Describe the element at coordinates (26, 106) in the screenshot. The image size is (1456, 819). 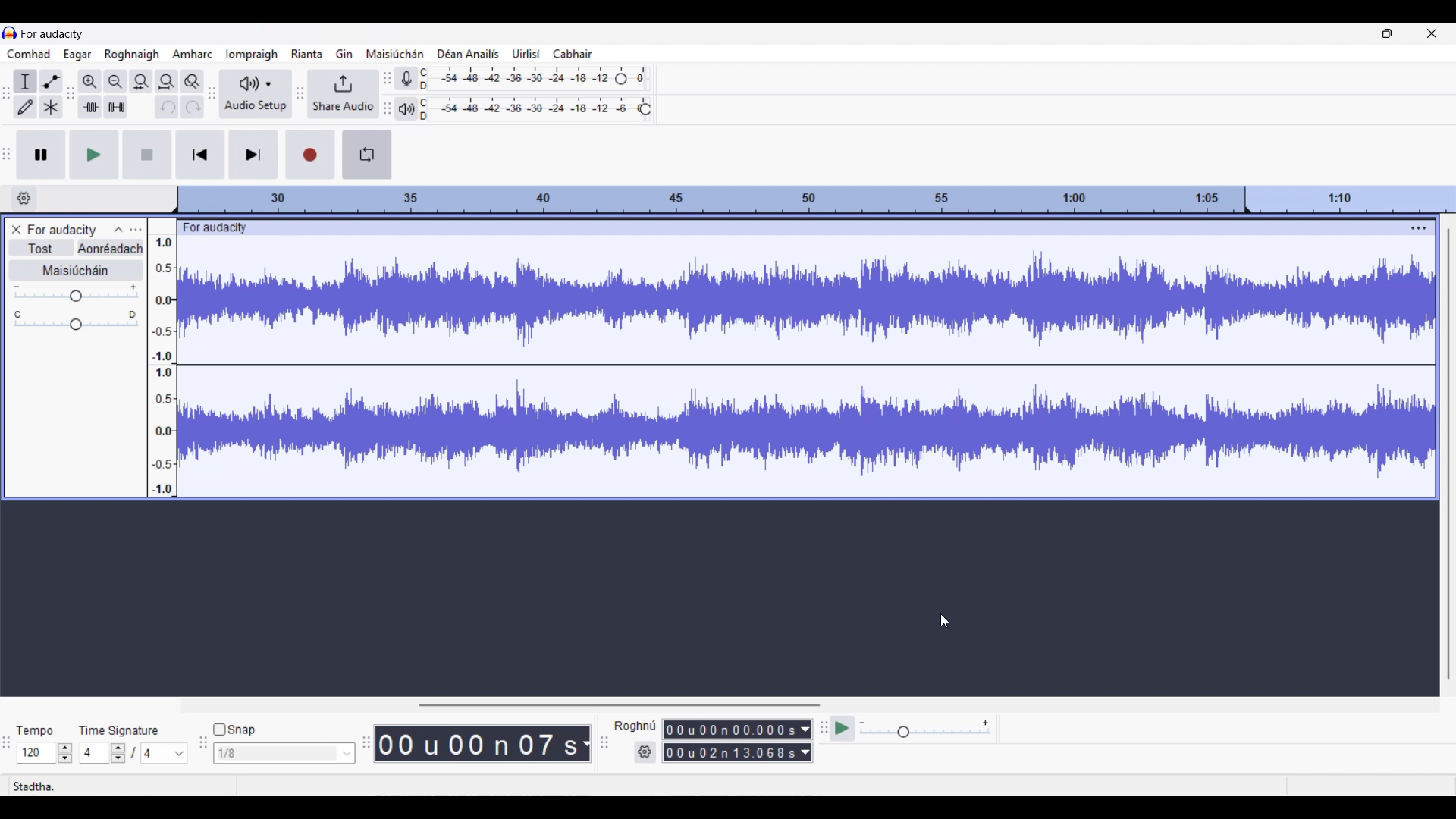
I see `Draw tool` at that location.